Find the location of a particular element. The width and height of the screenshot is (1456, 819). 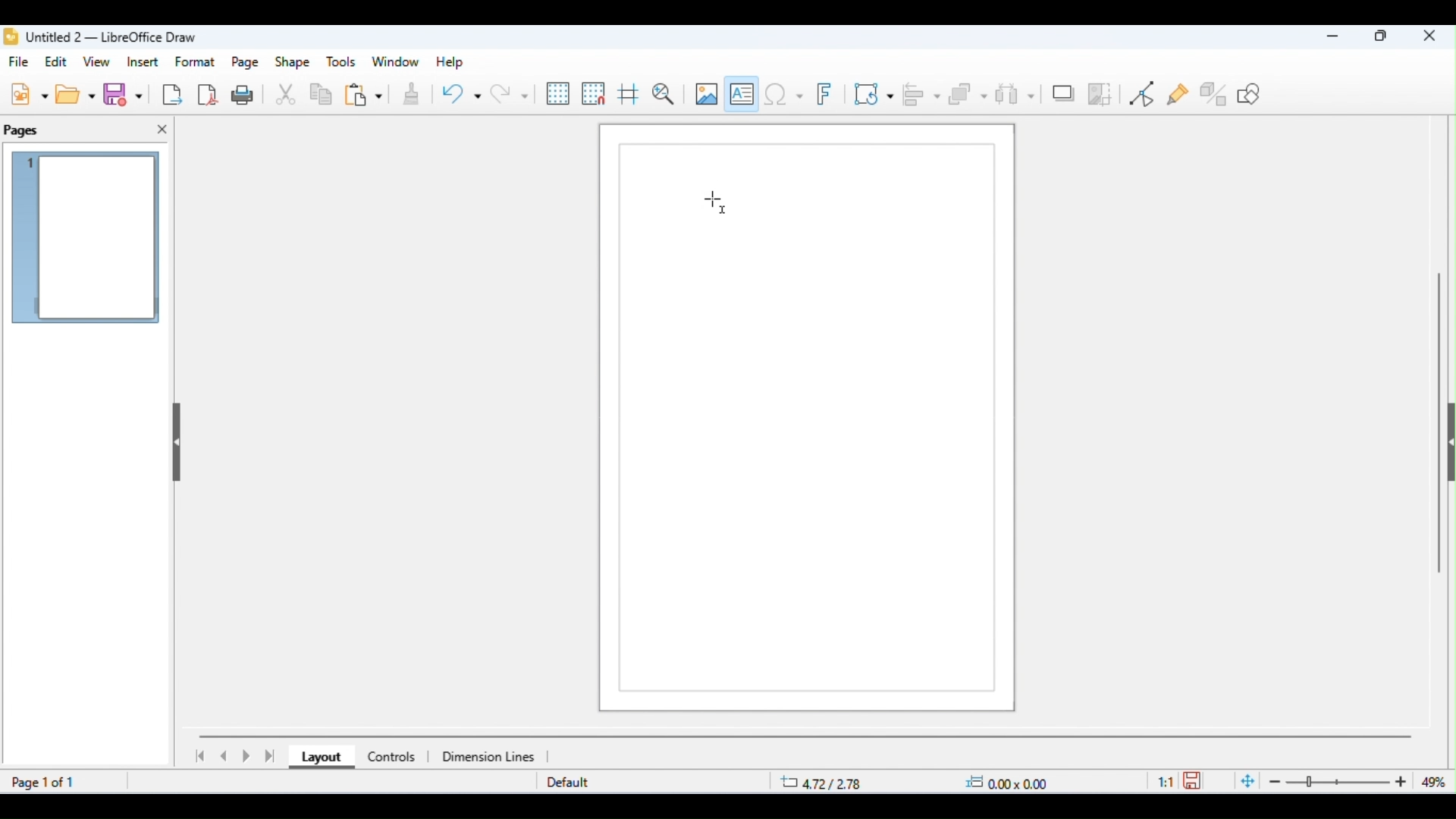

page is located at coordinates (246, 63).